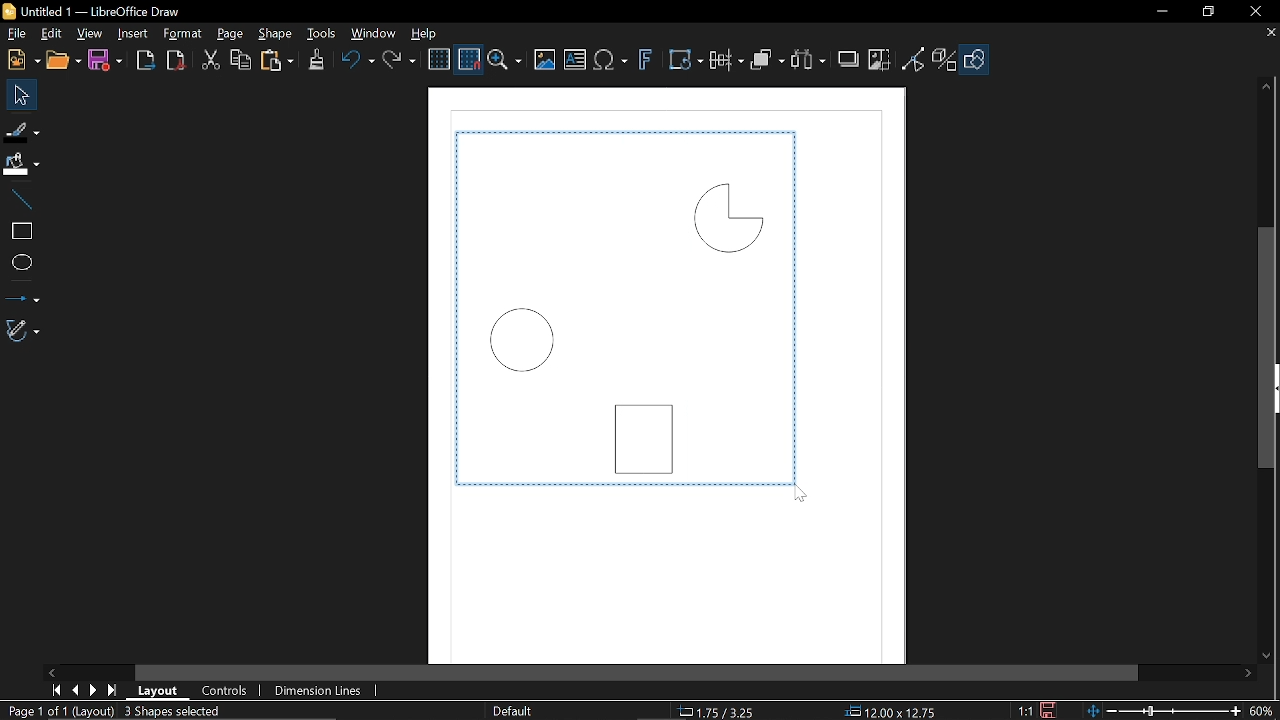  What do you see at coordinates (19, 96) in the screenshot?
I see `Select` at bounding box center [19, 96].